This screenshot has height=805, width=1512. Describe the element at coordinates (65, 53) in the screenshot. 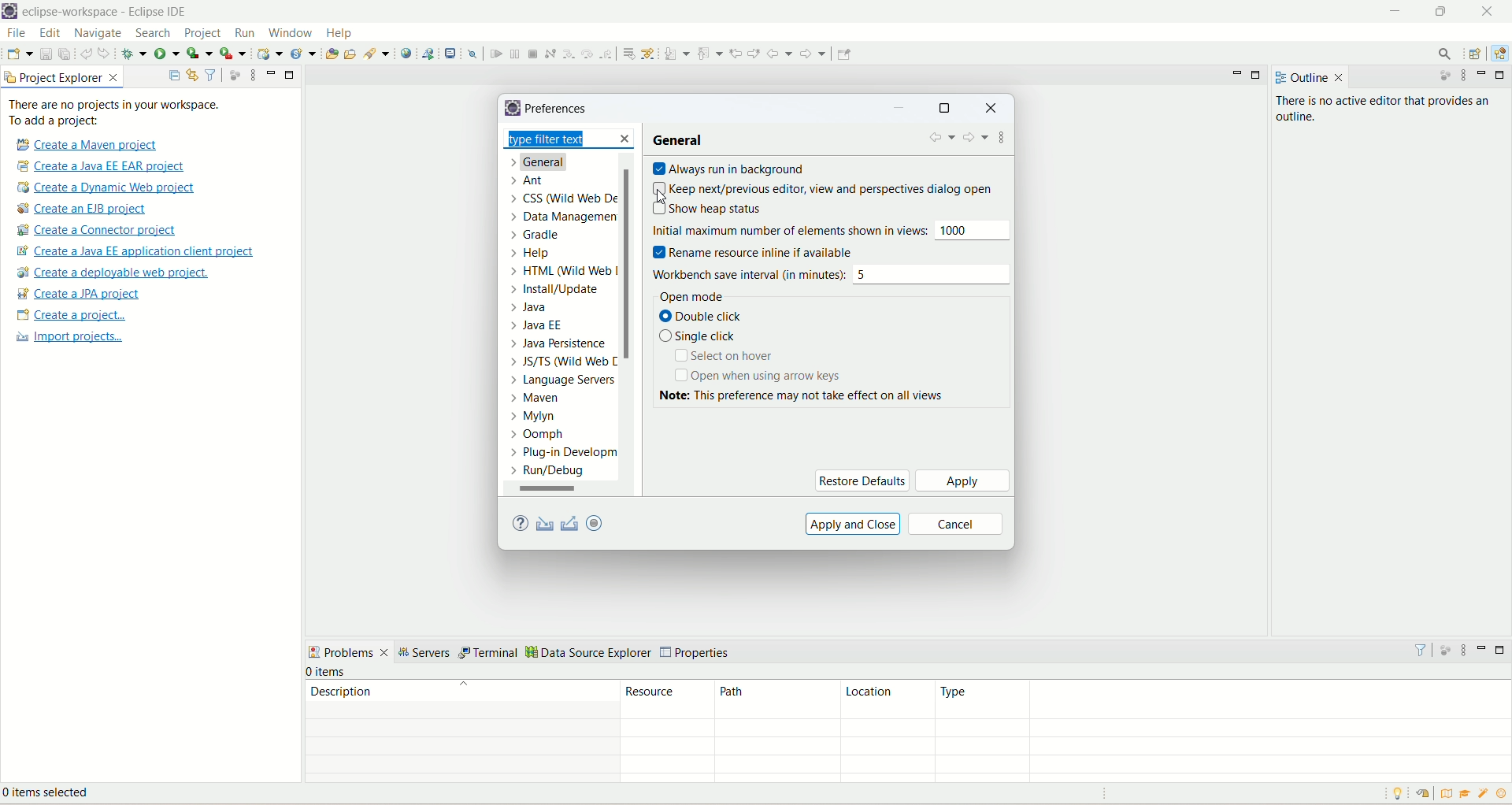

I see `save all` at that location.